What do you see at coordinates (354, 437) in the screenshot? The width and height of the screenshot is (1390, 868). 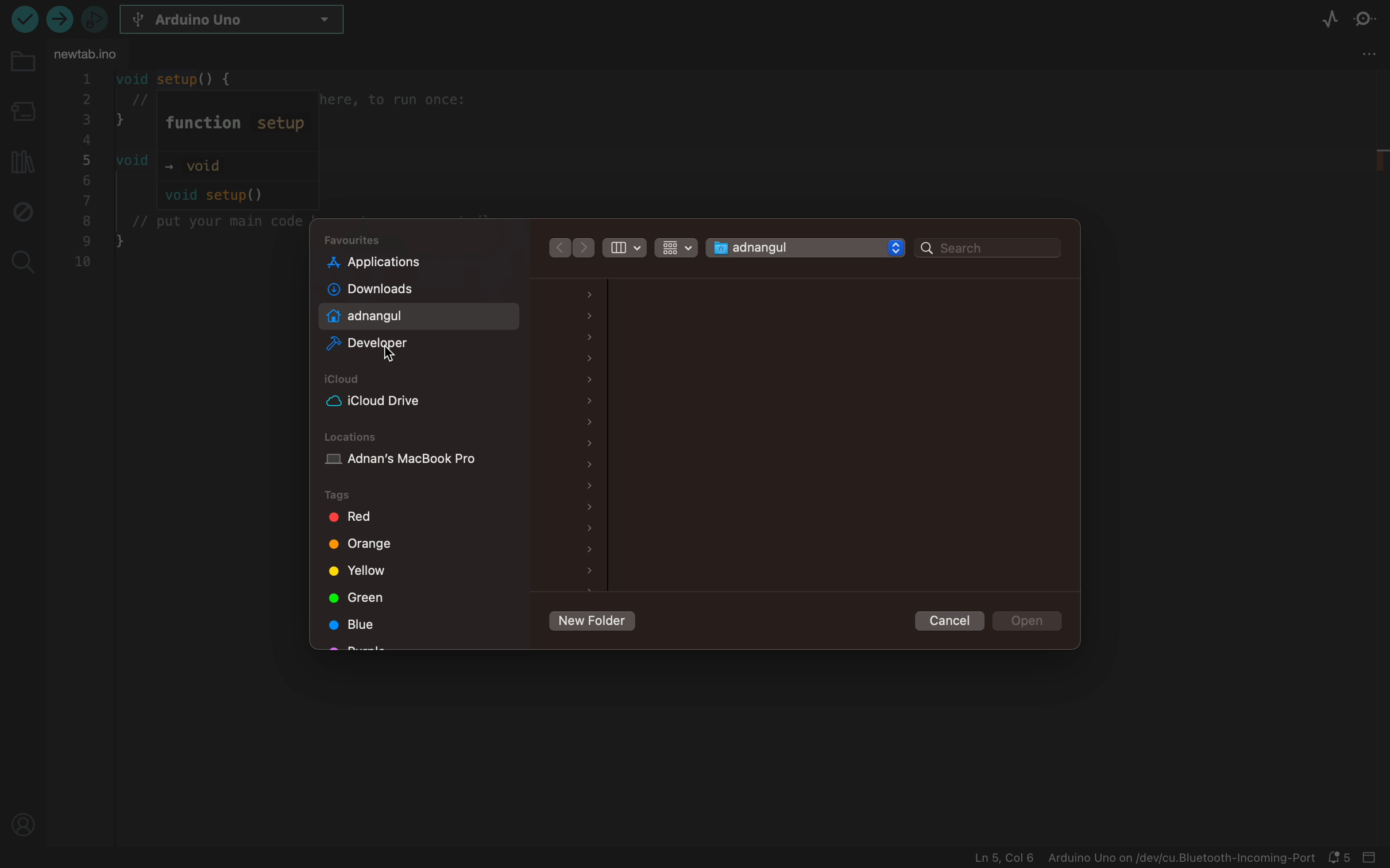 I see `locations` at bounding box center [354, 437].